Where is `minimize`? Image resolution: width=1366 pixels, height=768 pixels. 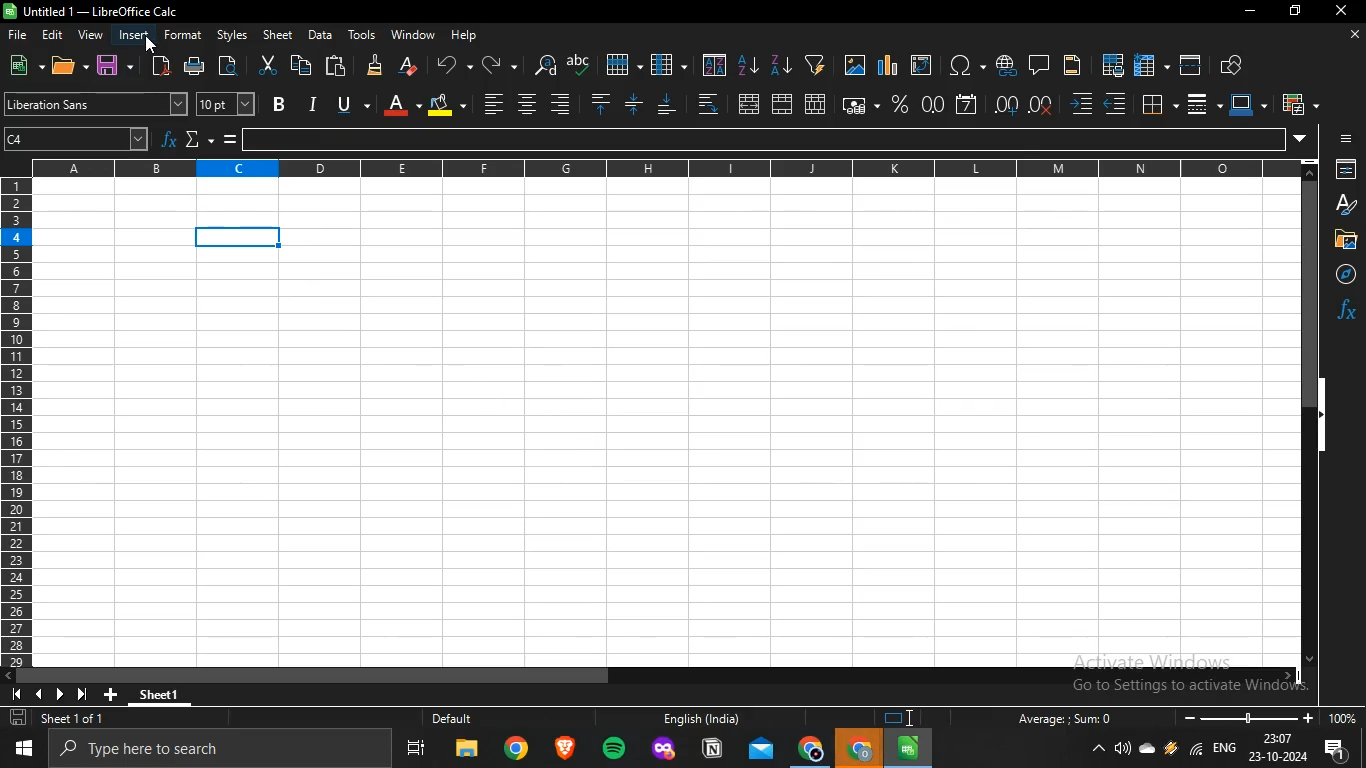 minimize is located at coordinates (1247, 11).